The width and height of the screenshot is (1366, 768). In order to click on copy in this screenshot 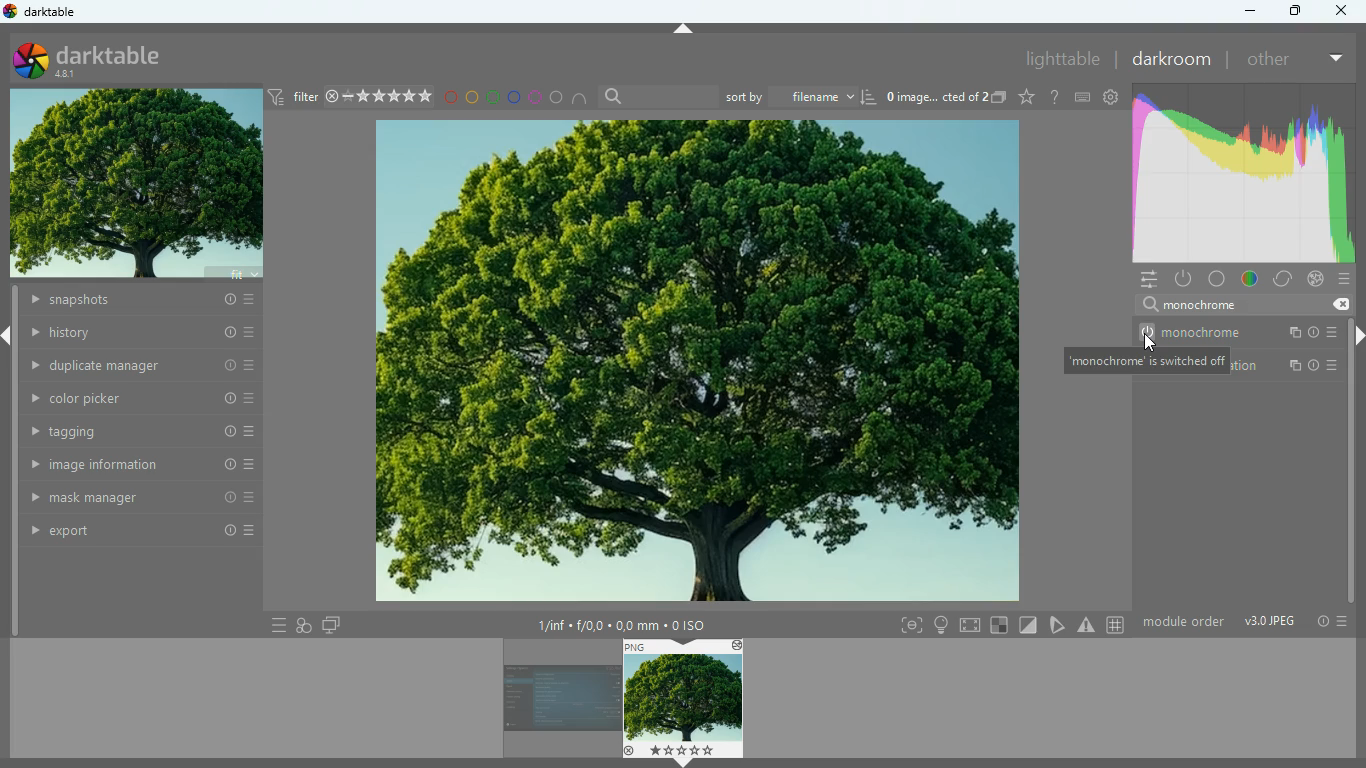, I will do `click(999, 98)`.